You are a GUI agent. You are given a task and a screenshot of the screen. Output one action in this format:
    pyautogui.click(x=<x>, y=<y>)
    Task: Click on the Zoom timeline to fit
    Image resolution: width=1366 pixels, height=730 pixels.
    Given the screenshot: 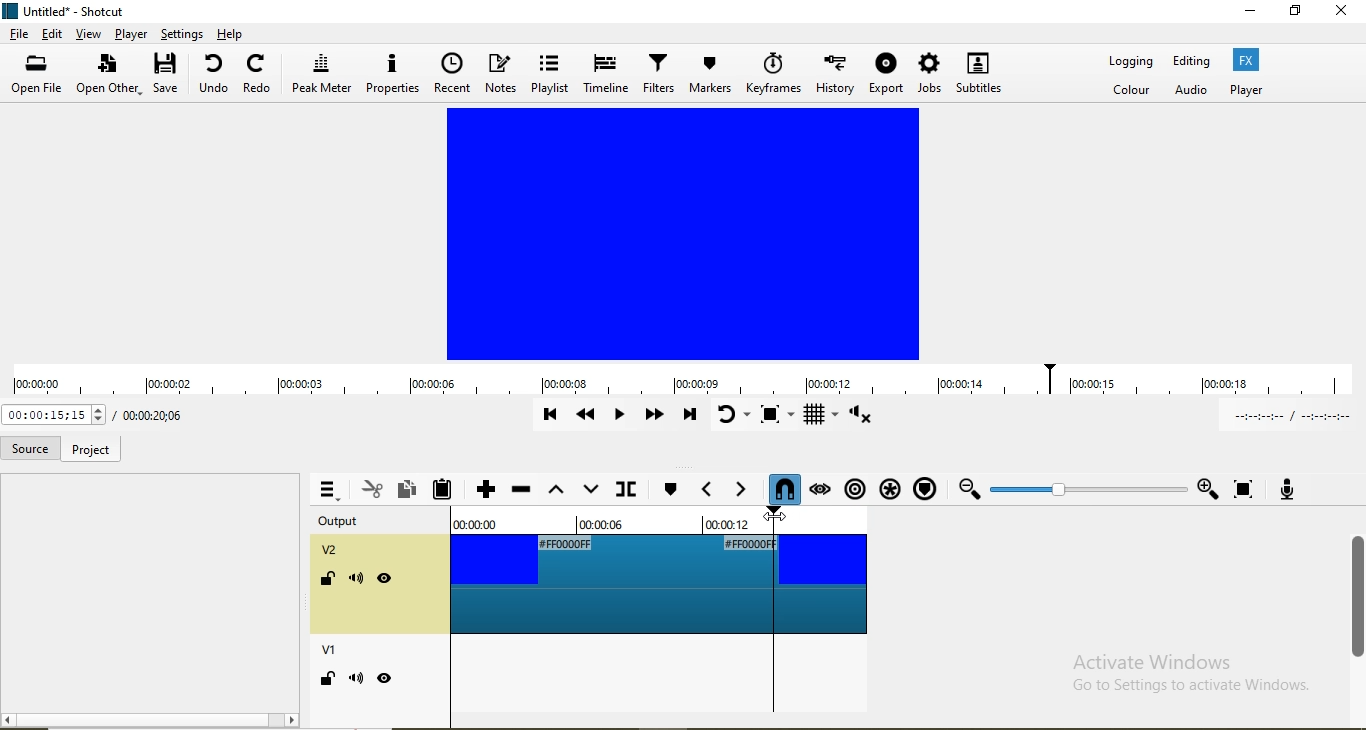 What is the action you would take?
    pyautogui.click(x=1086, y=488)
    